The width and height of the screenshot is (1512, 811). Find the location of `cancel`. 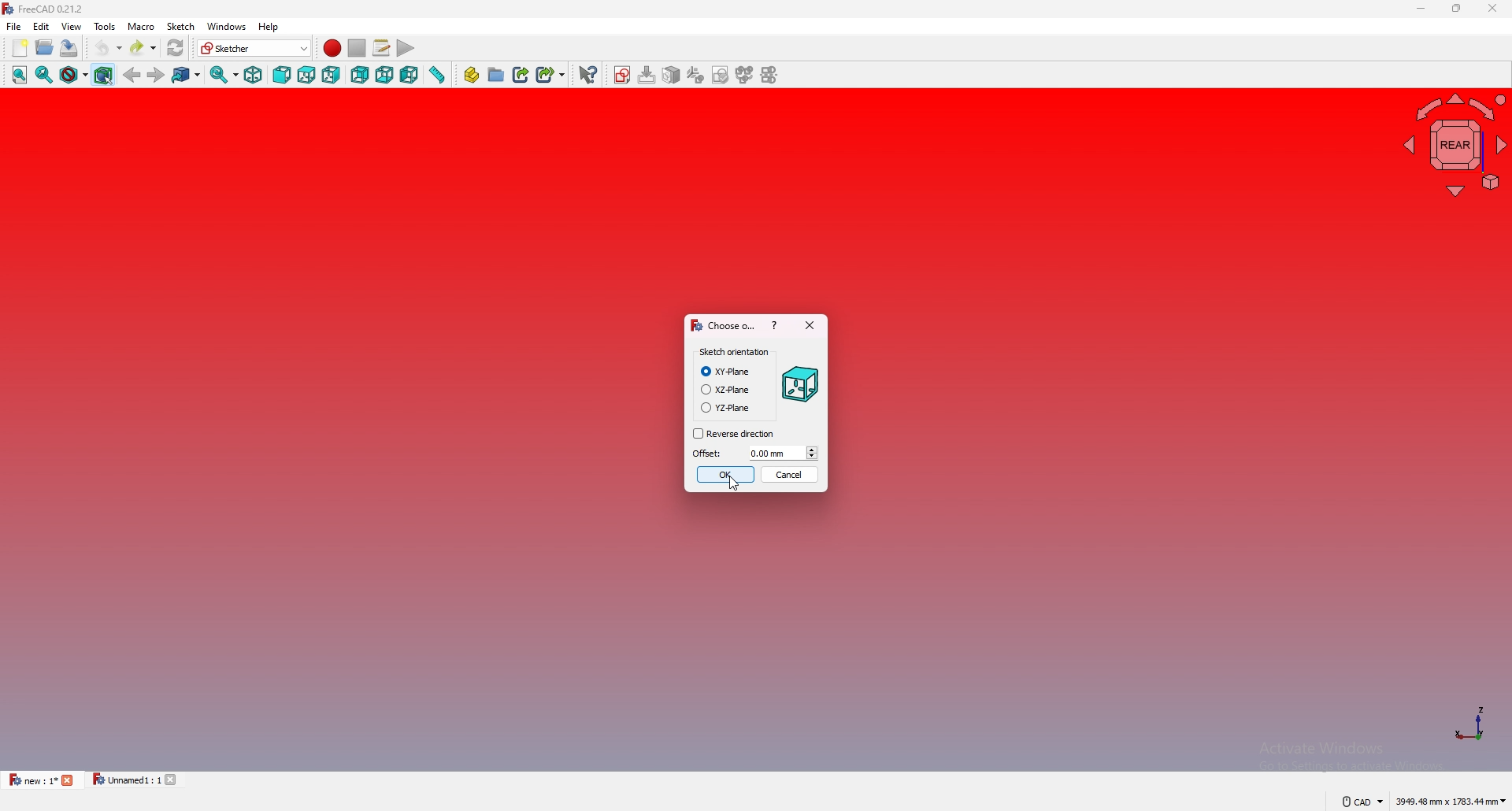

cancel is located at coordinates (790, 474).